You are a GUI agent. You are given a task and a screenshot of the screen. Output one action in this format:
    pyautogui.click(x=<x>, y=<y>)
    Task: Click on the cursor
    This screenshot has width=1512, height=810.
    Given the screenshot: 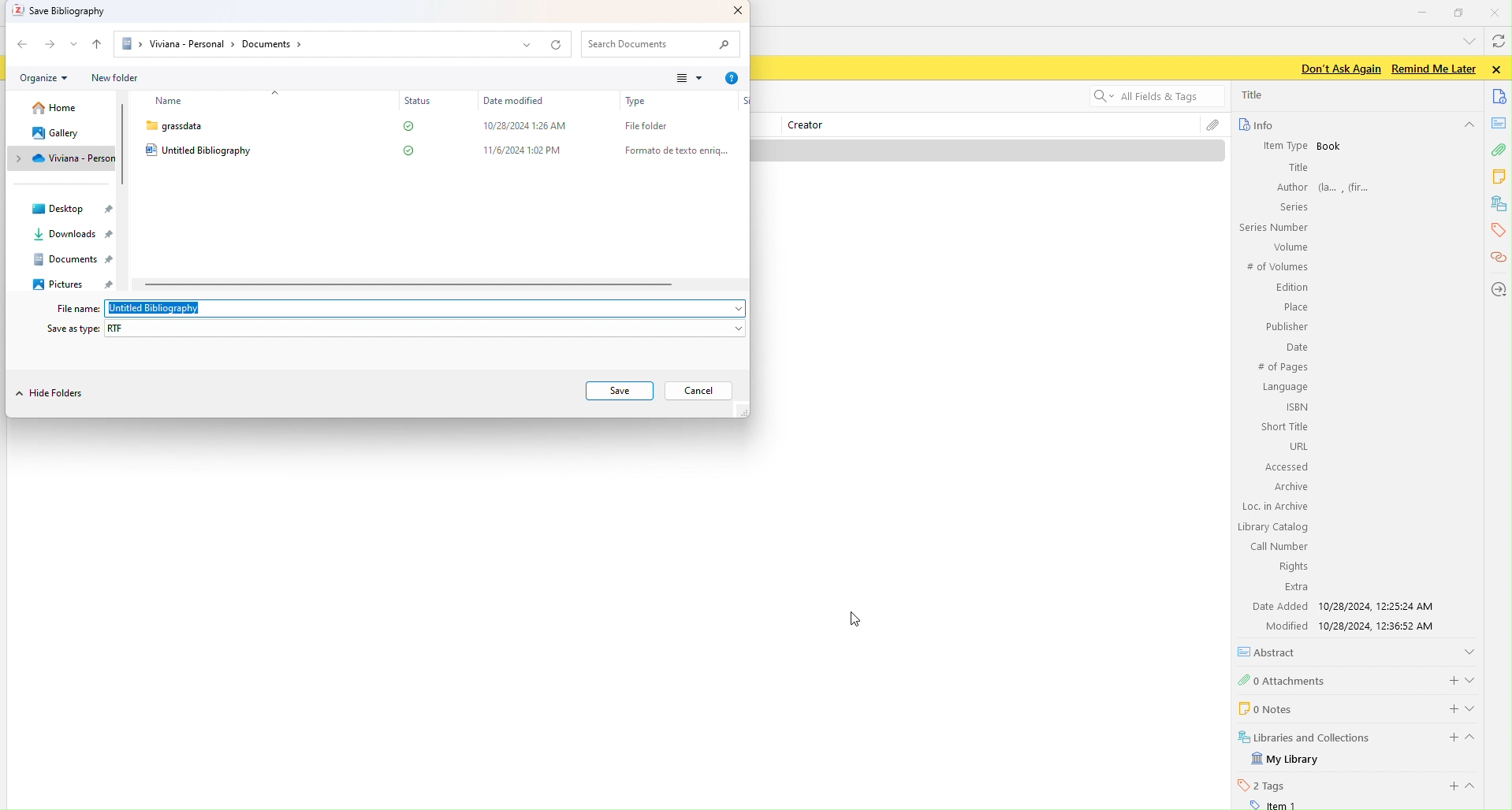 What is the action you would take?
    pyautogui.click(x=864, y=619)
    